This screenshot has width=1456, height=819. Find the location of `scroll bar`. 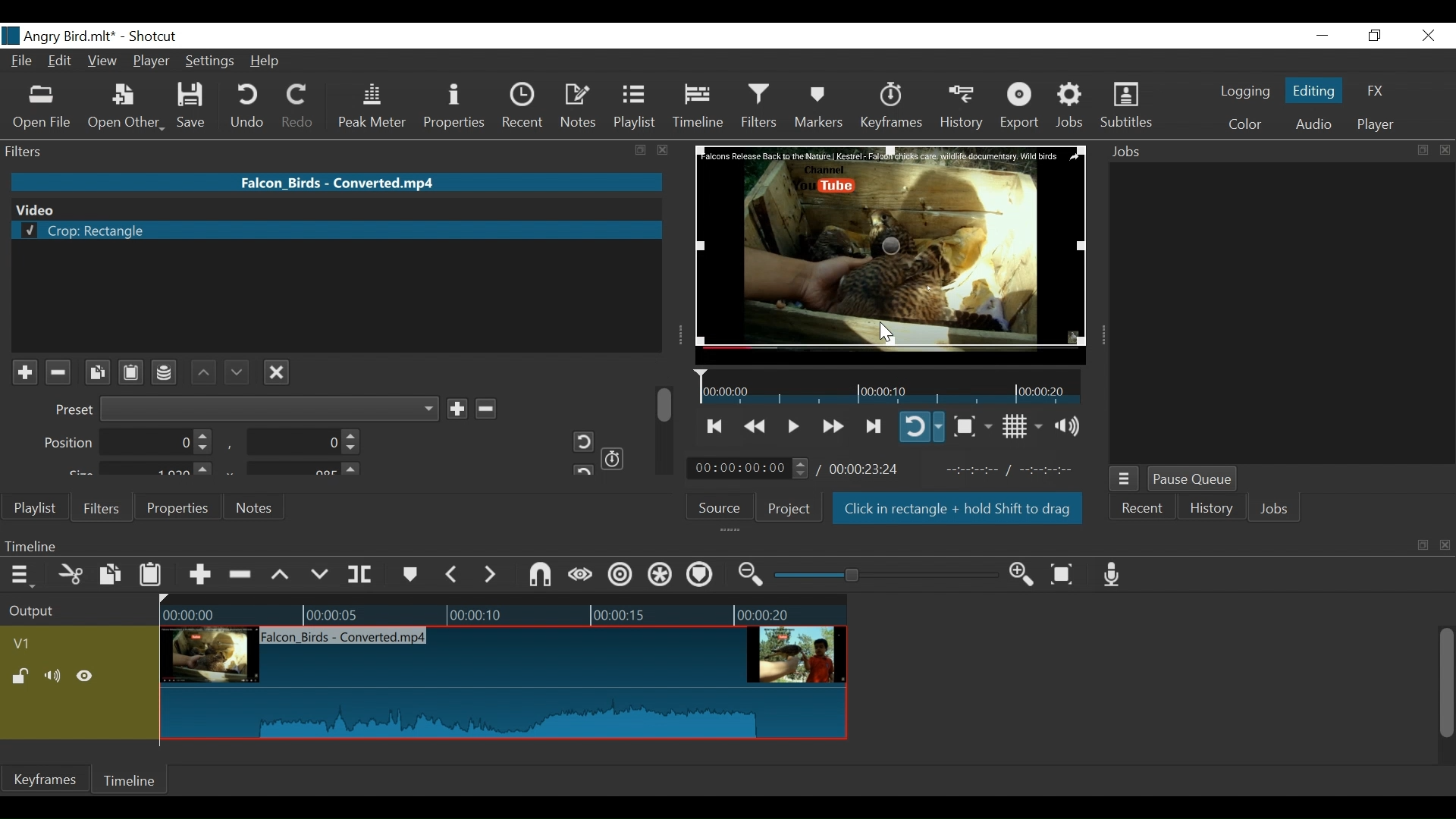

scroll bar is located at coordinates (666, 403).